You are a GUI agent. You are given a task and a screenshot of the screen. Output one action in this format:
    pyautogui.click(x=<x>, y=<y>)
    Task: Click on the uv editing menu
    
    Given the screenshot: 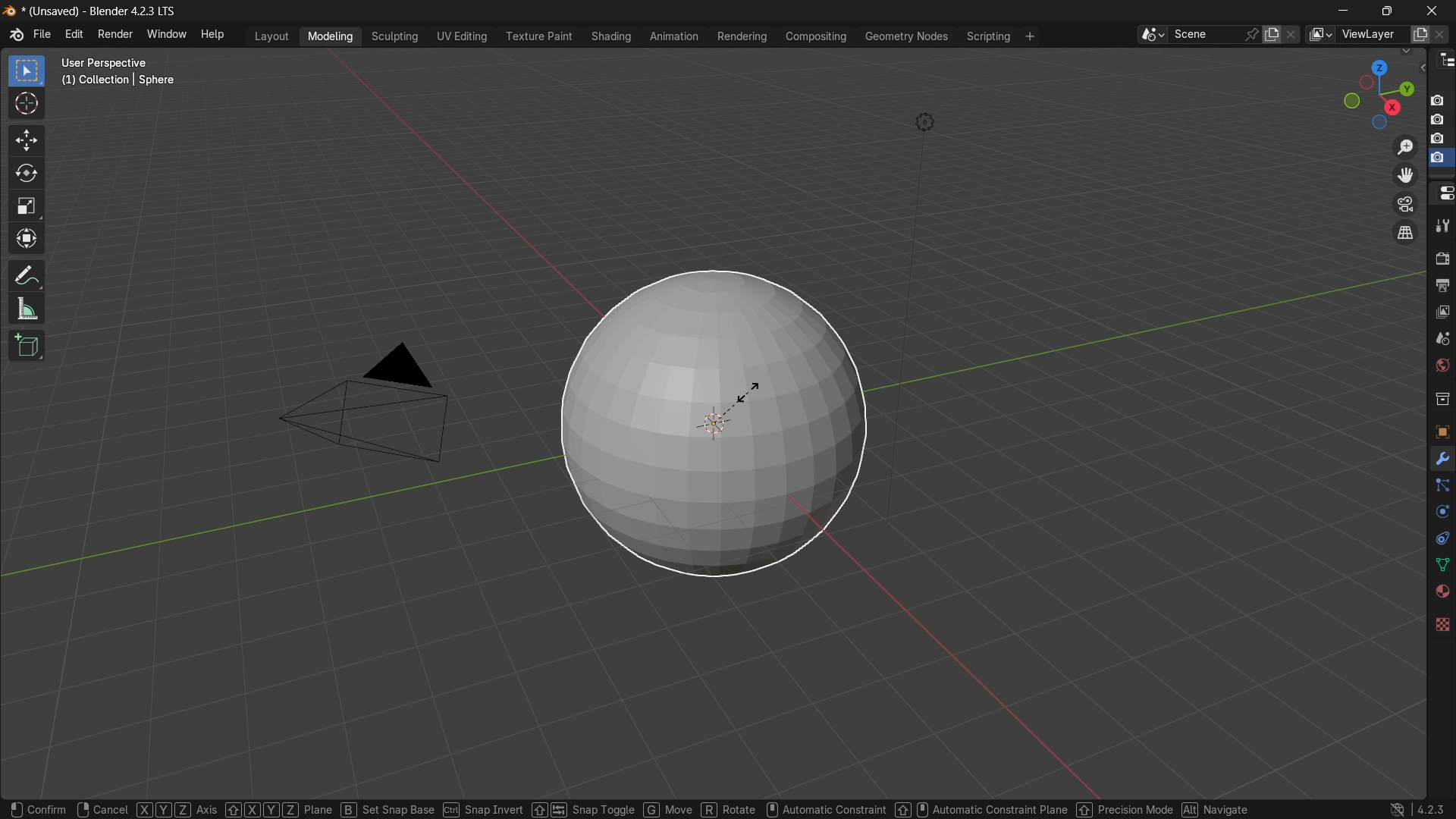 What is the action you would take?
    pyautogui.click(x=463, y=36)
    